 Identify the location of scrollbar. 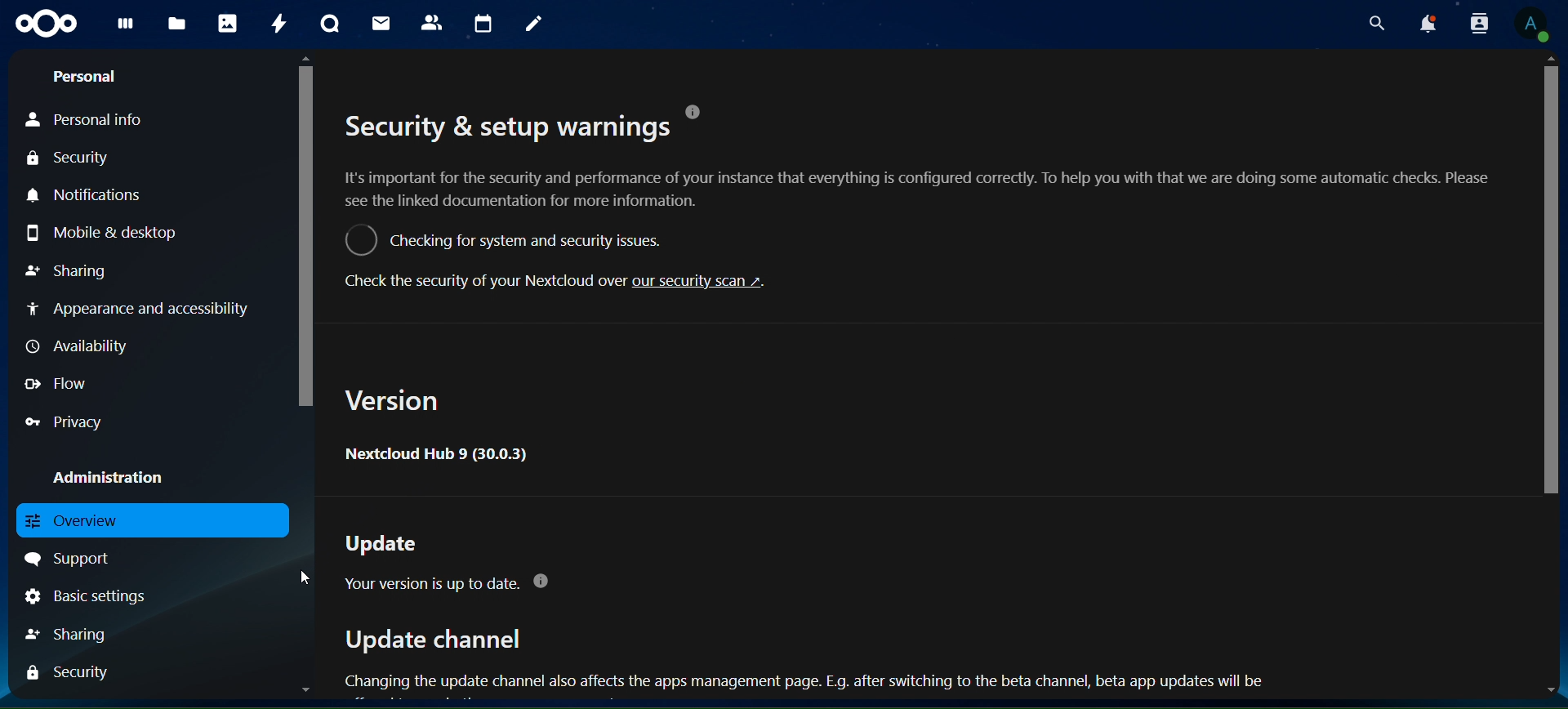
(304, 230).